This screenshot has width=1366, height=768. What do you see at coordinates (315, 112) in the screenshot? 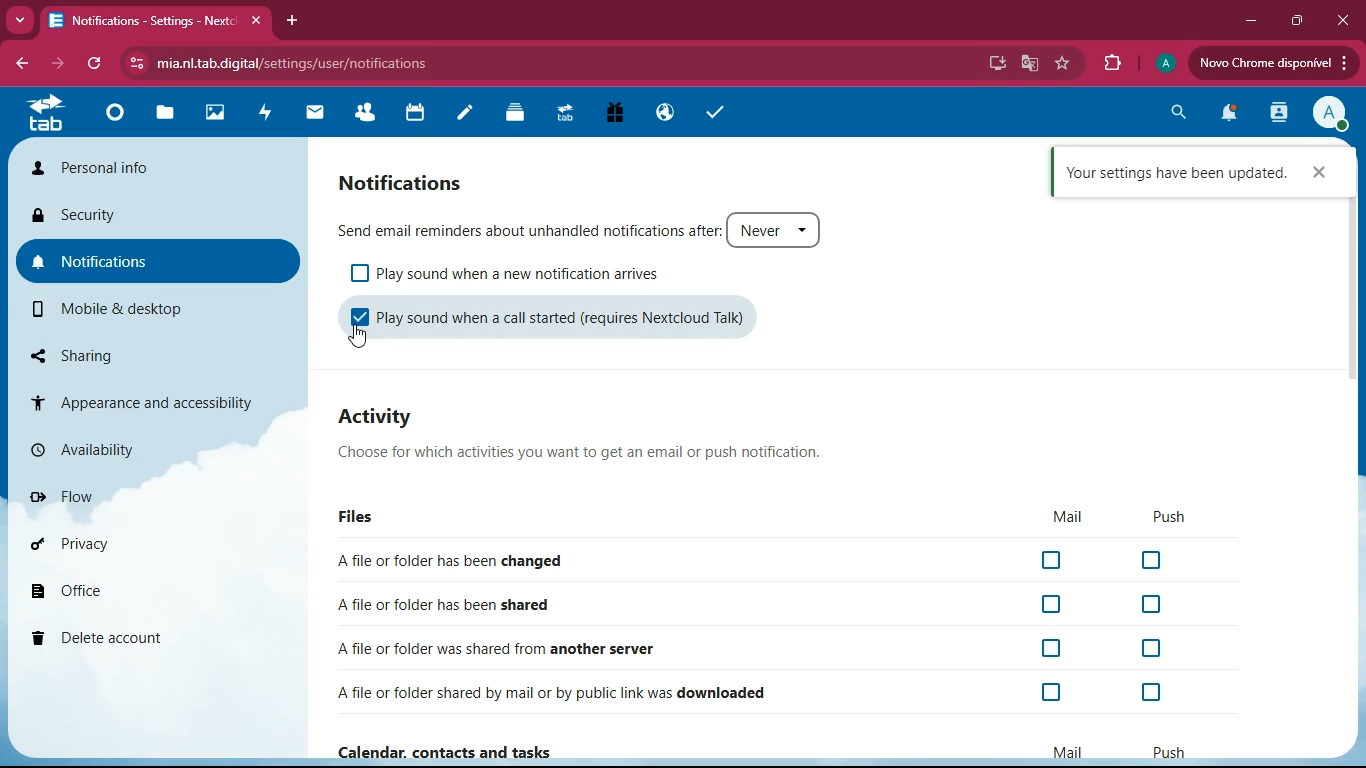
I see `mail` at bounding box center [315, 112].